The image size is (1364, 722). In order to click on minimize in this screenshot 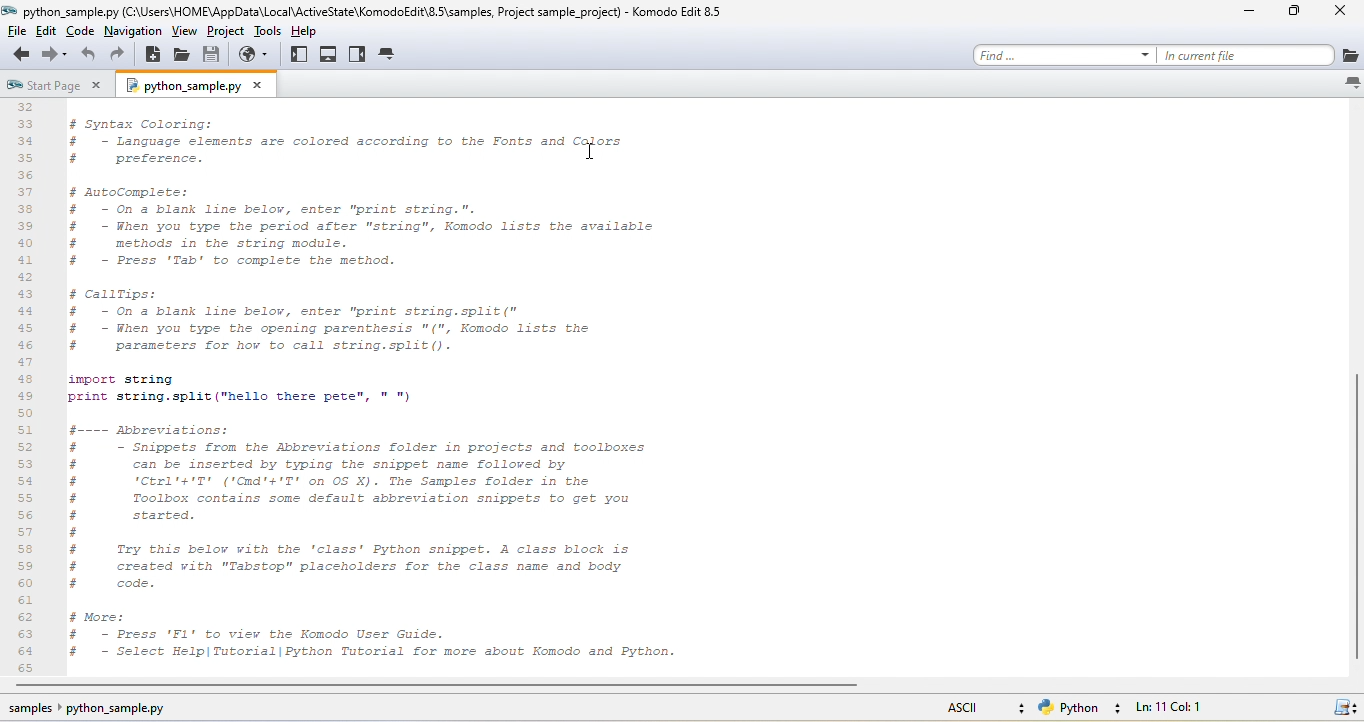, I will do `click(1252, 15)`.